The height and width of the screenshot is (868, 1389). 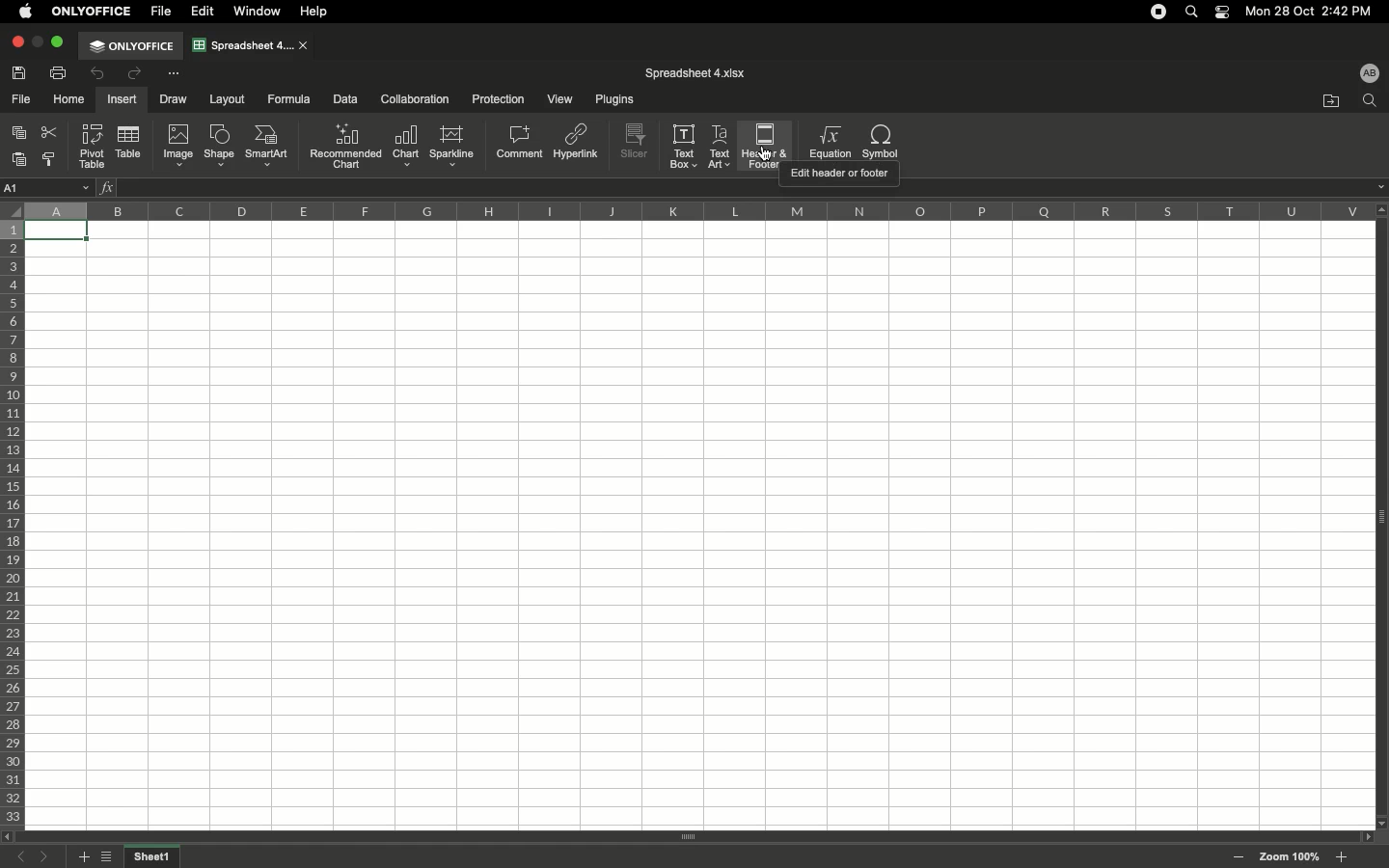 I want to click on Close, so click(x=16, y=42).